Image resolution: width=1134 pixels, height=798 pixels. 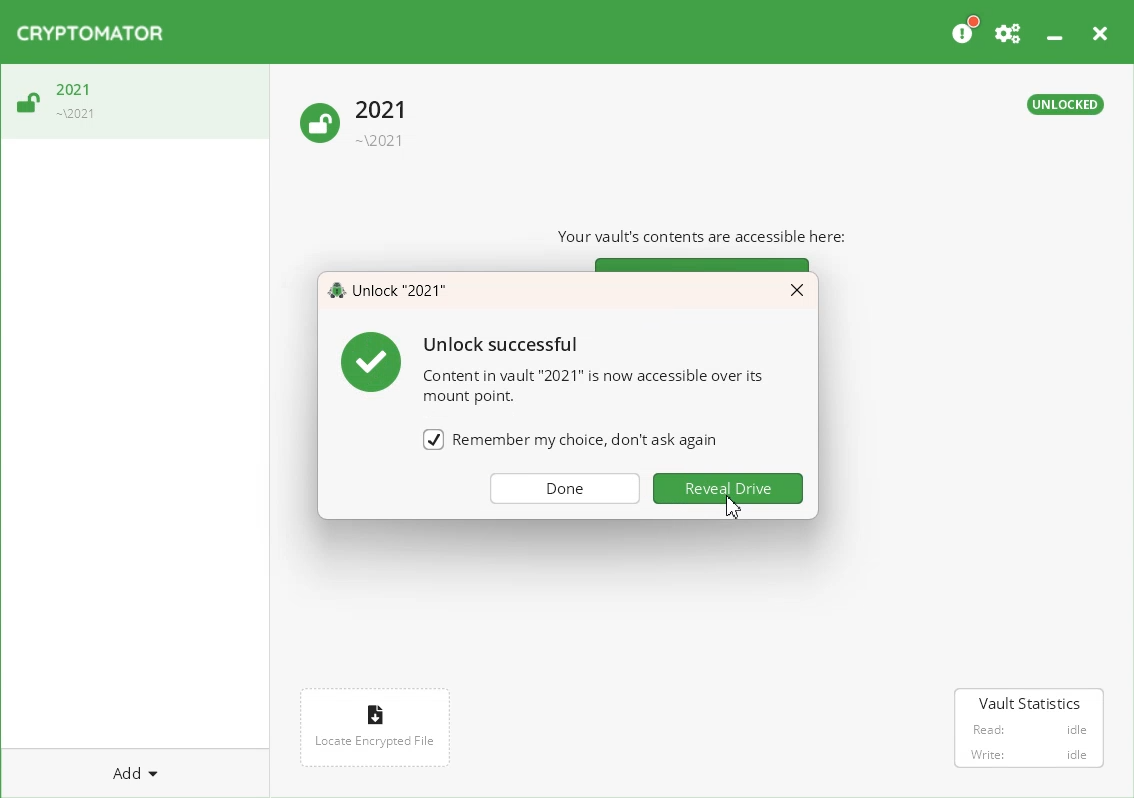 I want to click on Preferences, so click(x=1009, y=30).